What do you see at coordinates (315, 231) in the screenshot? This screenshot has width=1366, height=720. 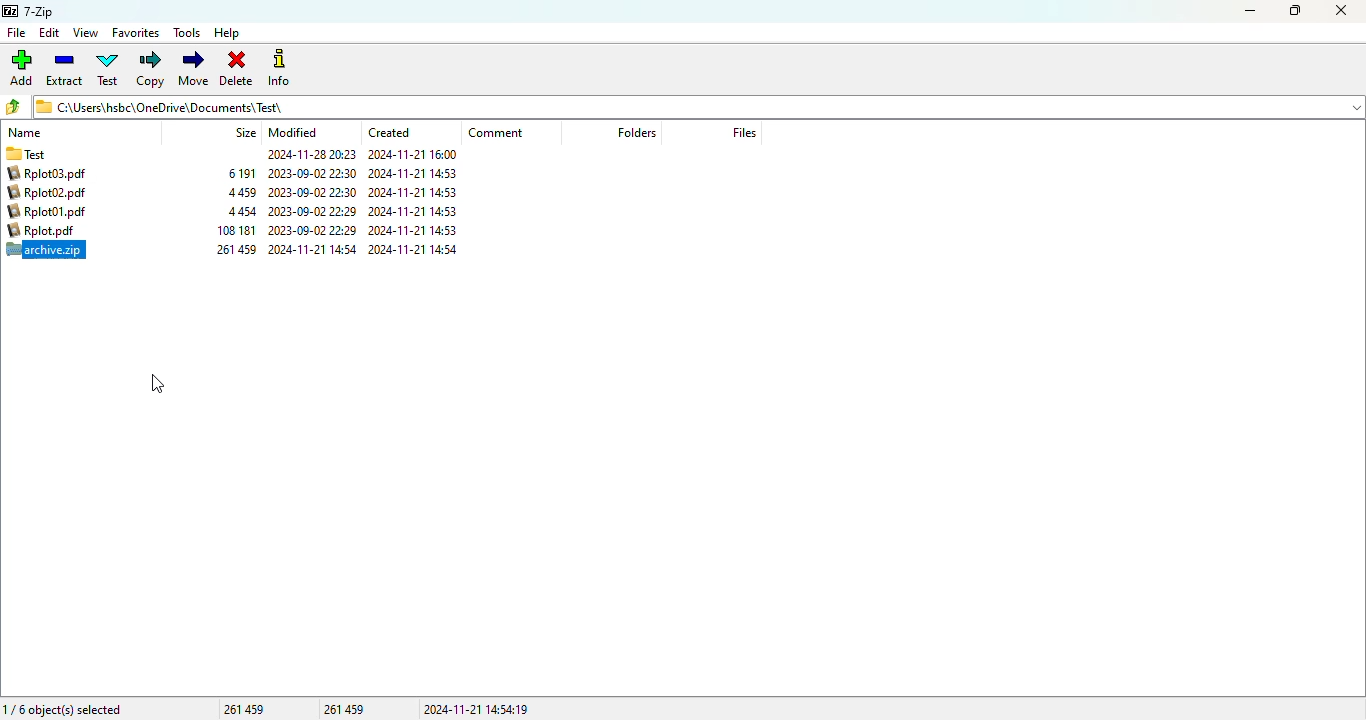 I see `2023-09-02 22:29` at bounding box center [315, 231].